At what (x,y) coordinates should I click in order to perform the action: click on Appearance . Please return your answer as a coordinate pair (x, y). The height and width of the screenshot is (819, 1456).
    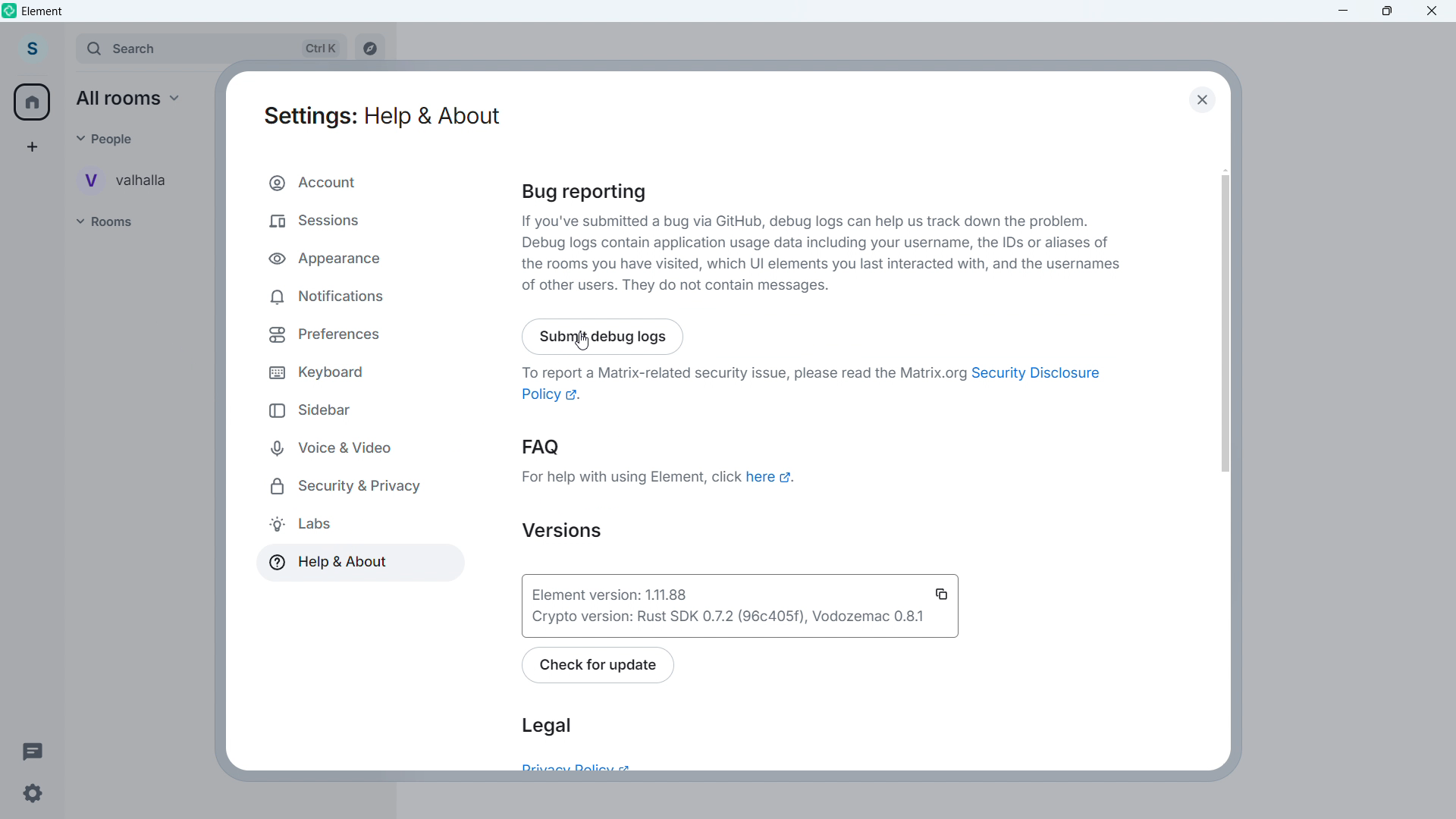
    Looking at the image, I should click on (346, 255).